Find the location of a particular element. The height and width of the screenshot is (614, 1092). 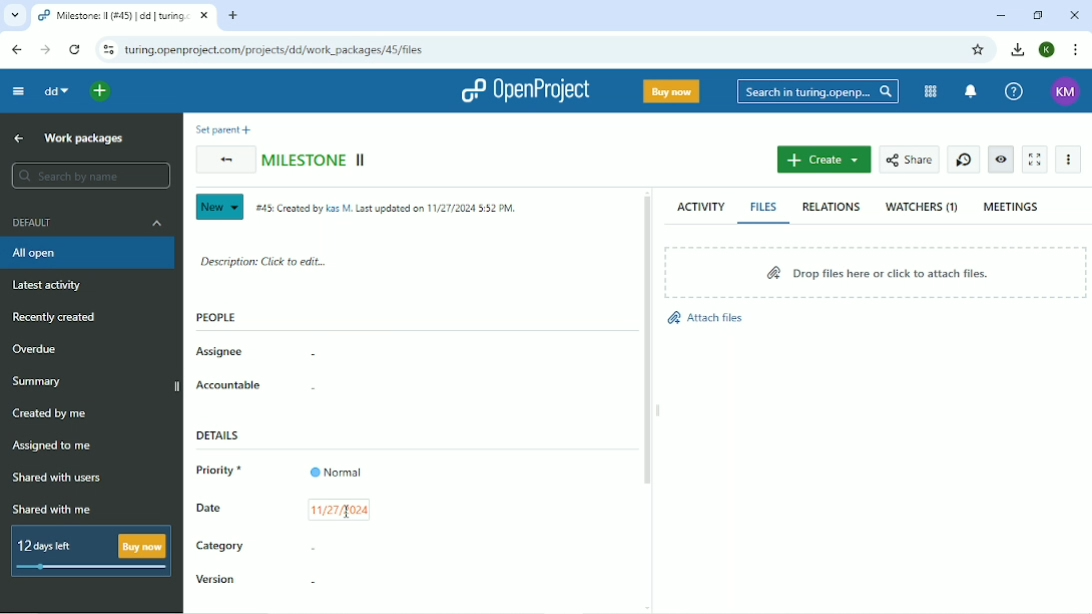

Normal is located at coordinates (336, 471).